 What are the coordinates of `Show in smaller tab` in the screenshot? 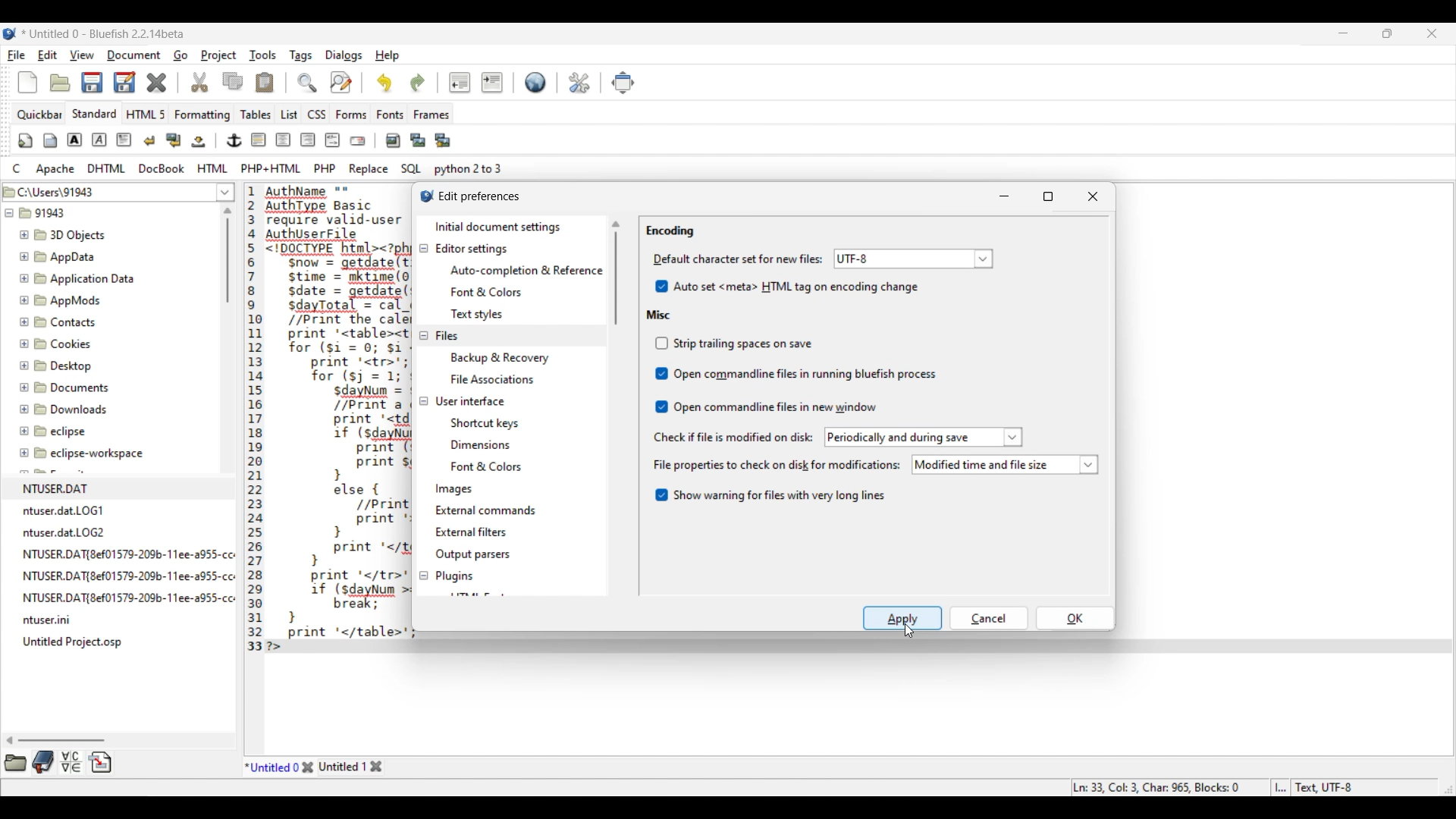 It's located at (1387, 33).